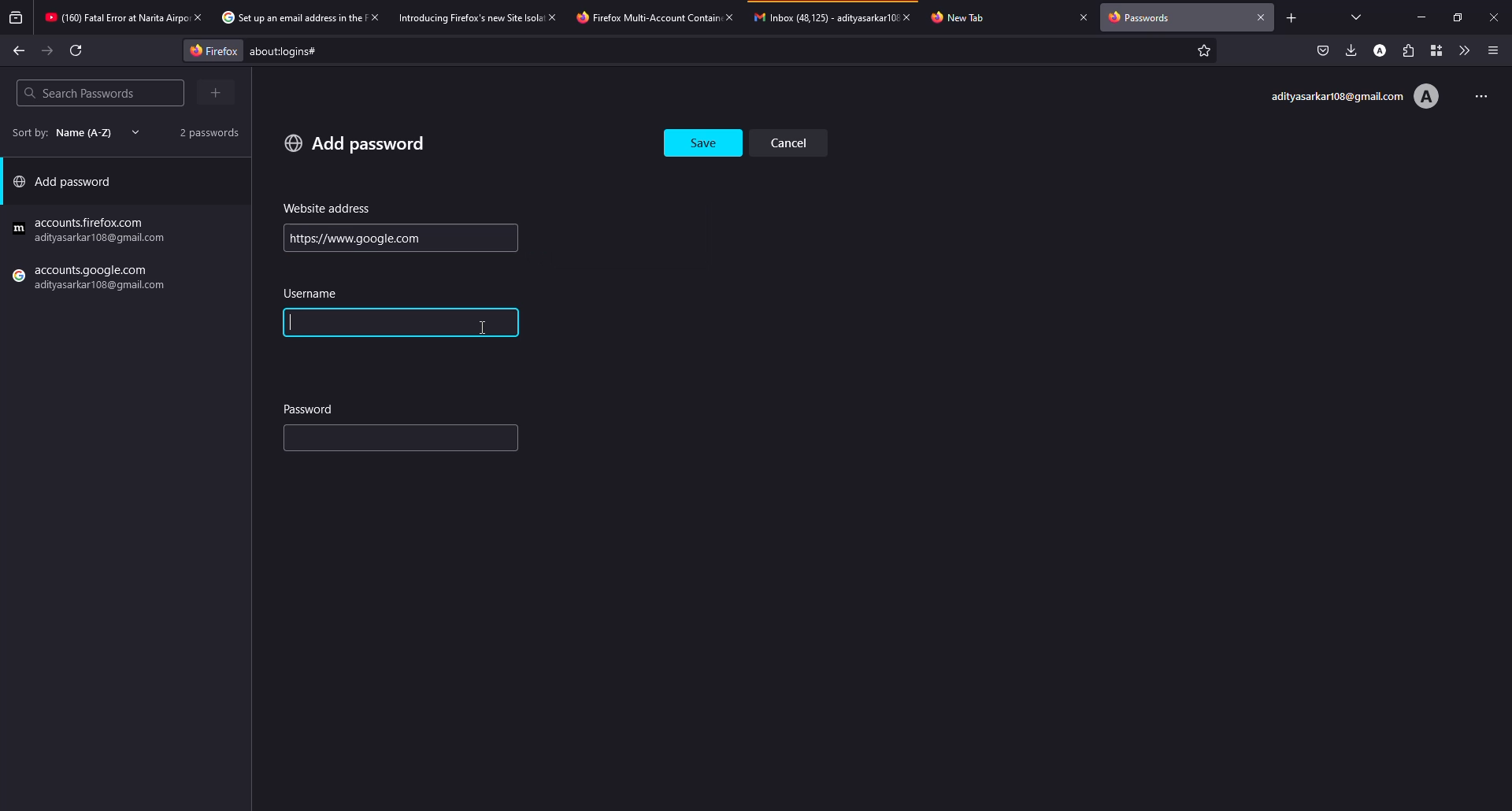 The width and height of the screenshot is (1512, 811). What do you see at coordinates (487, 327) in the screenshot?
I see `cursor` at bounding box center [487, 327].